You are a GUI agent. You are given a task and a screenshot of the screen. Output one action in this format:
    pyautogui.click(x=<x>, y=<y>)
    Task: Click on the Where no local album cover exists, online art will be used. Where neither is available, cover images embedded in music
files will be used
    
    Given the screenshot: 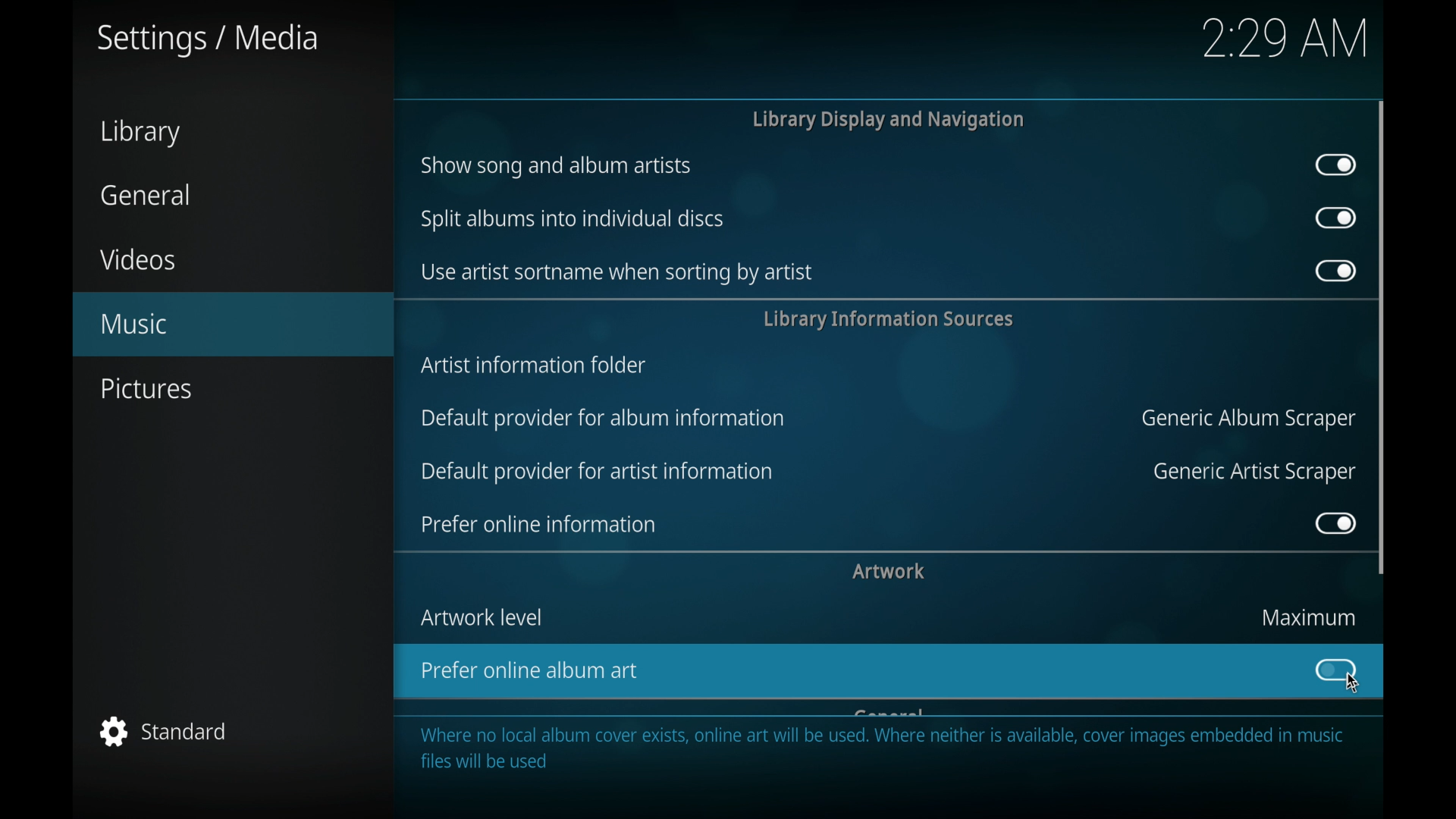 What is the action you would take?
    pyautogui.click(x=891, y=756)
    